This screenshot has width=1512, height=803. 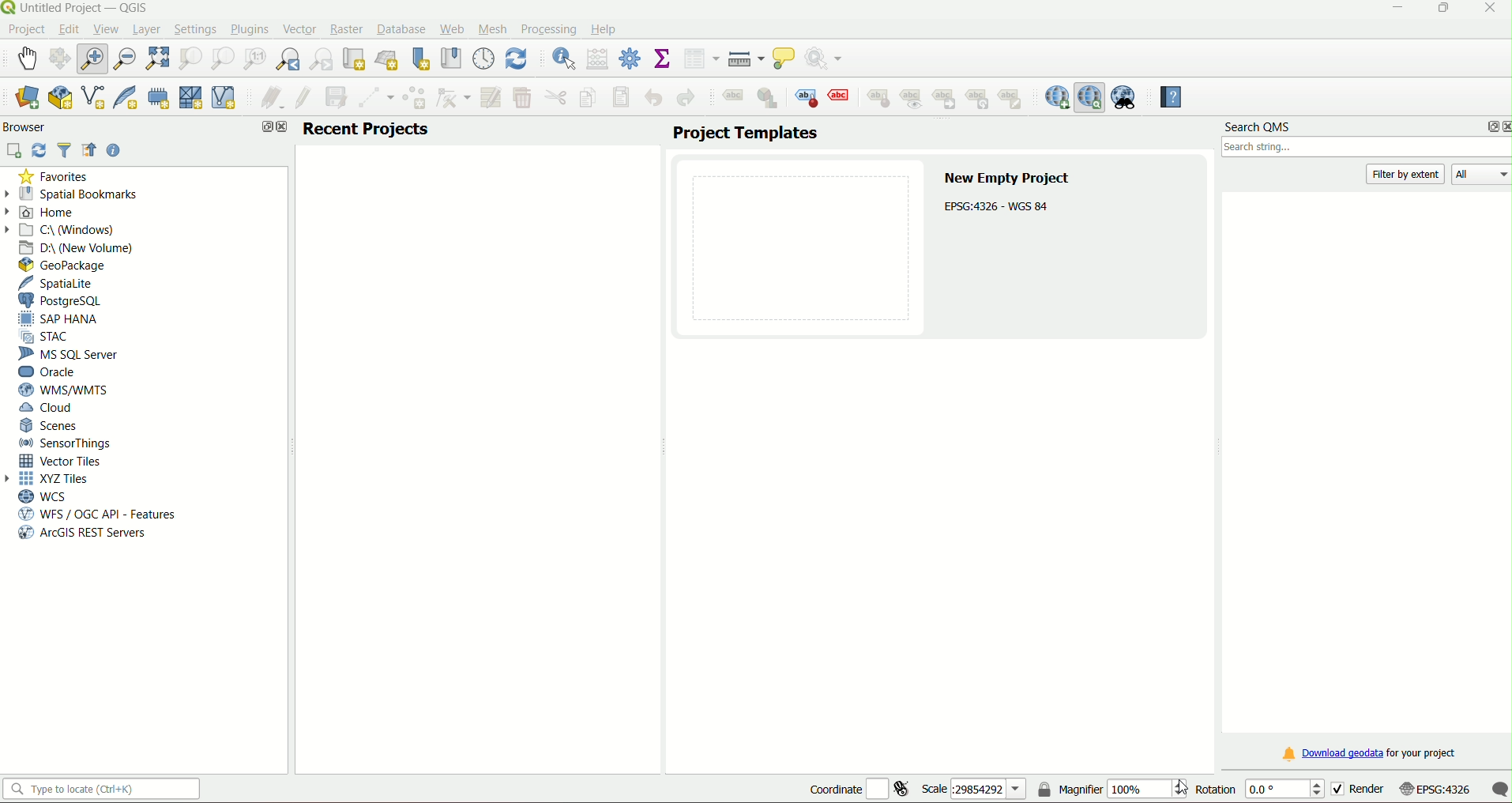 I want to click on web, so click(x=452, y=29).